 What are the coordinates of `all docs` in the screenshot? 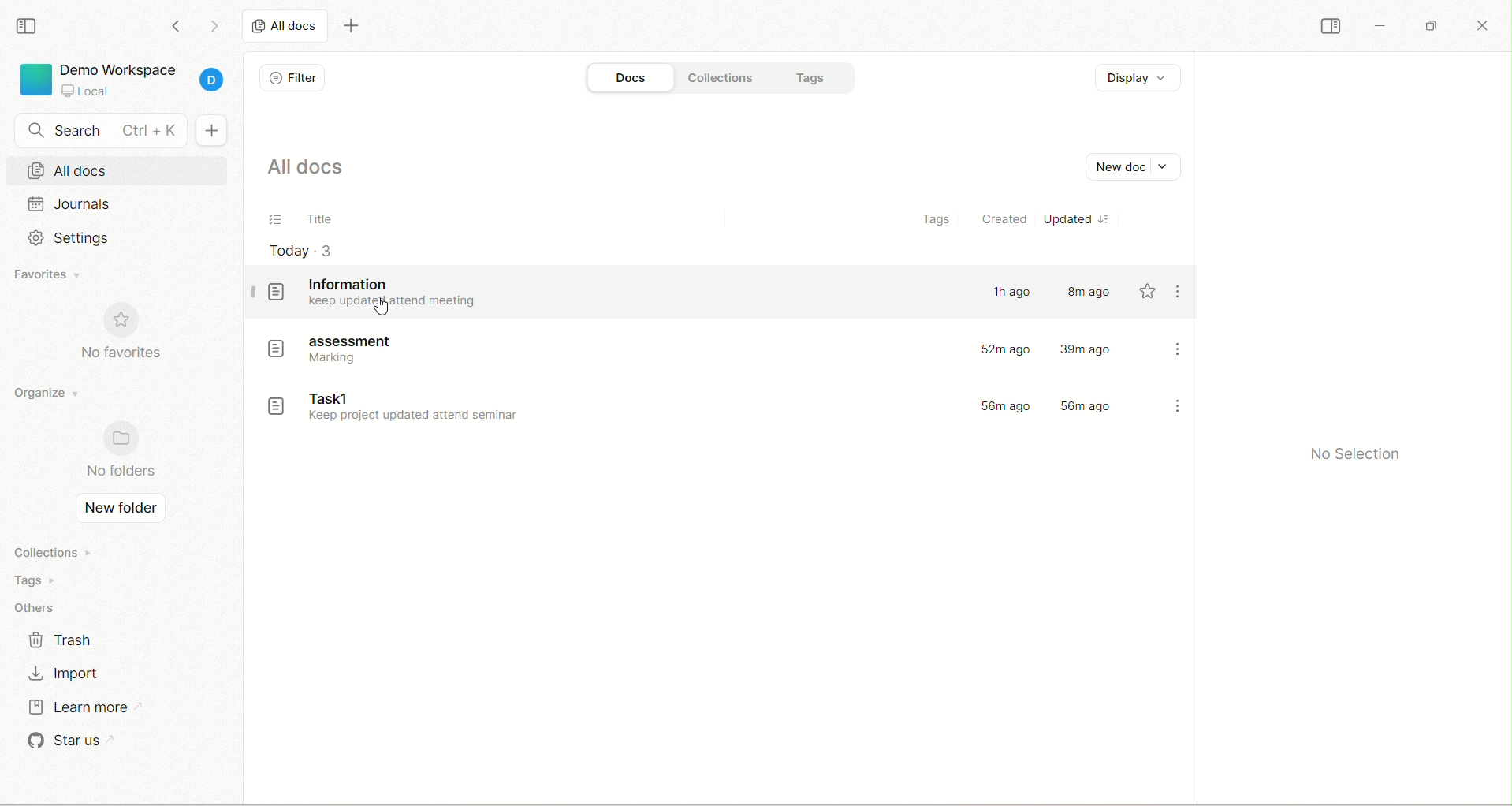 It's located at (284, 26).